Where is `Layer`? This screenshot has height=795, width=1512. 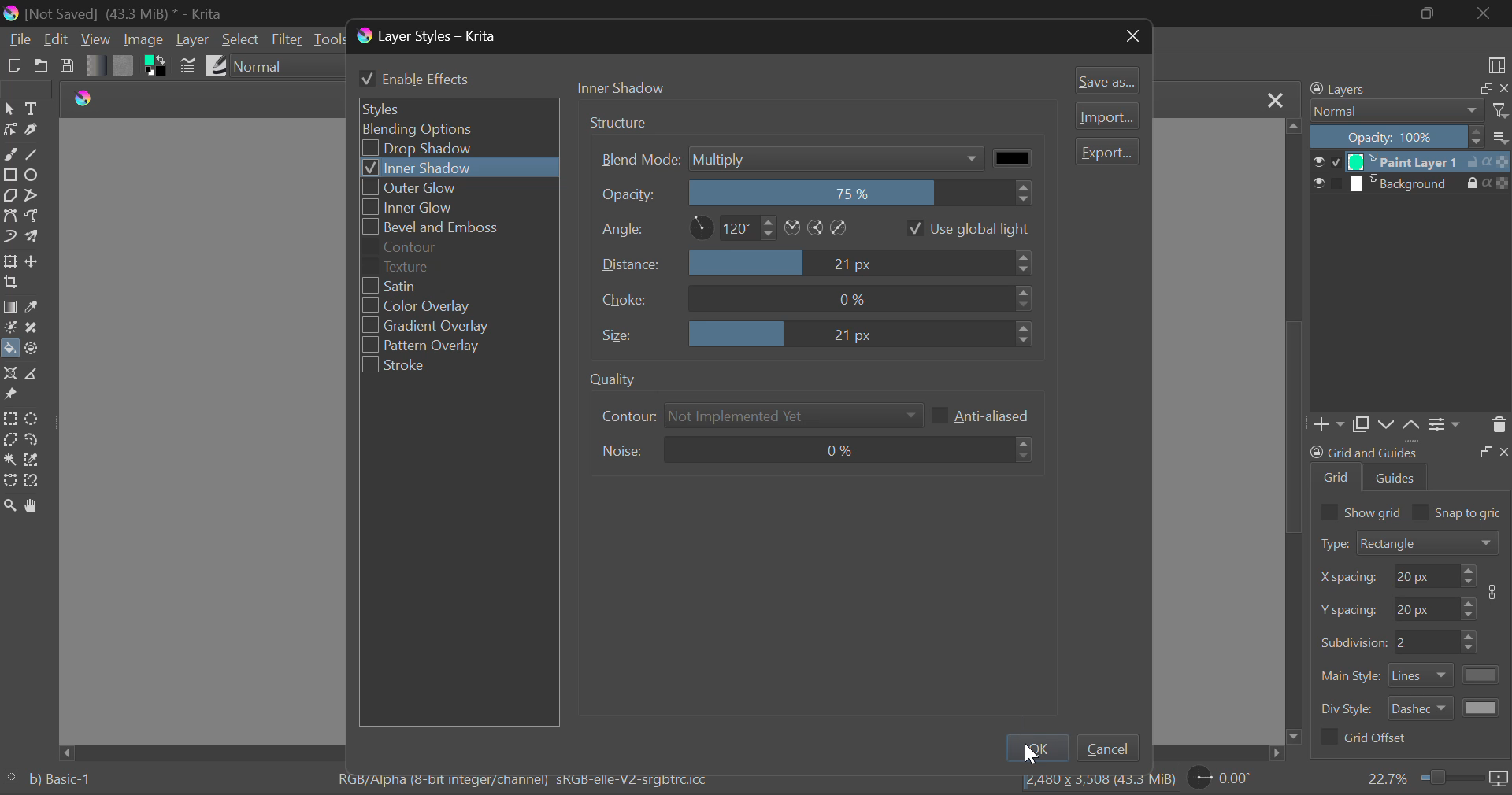
Layer is located at coordinates (193, 41).